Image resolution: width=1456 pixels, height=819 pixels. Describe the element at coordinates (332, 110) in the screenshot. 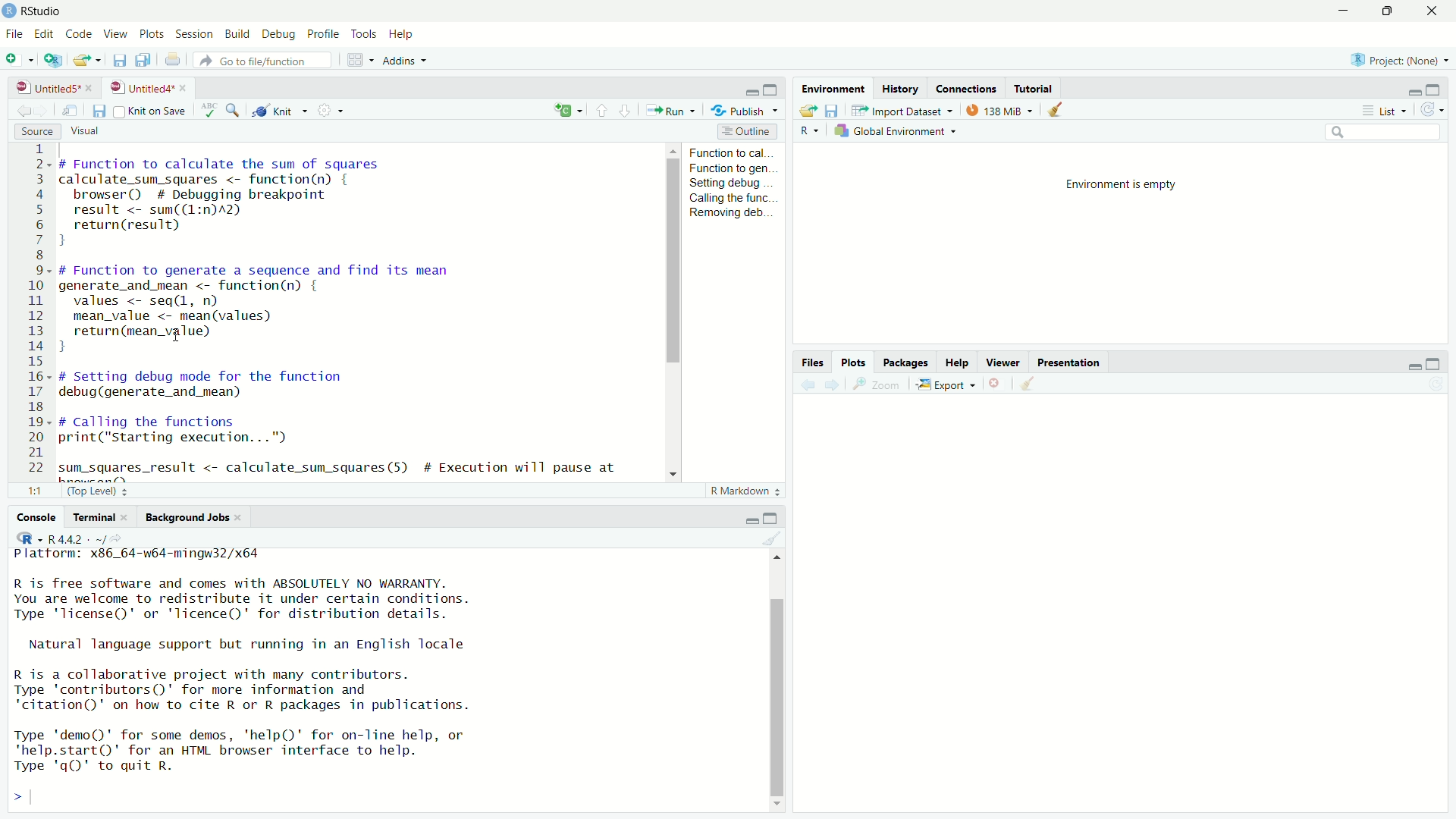

I see `settings` at that location.